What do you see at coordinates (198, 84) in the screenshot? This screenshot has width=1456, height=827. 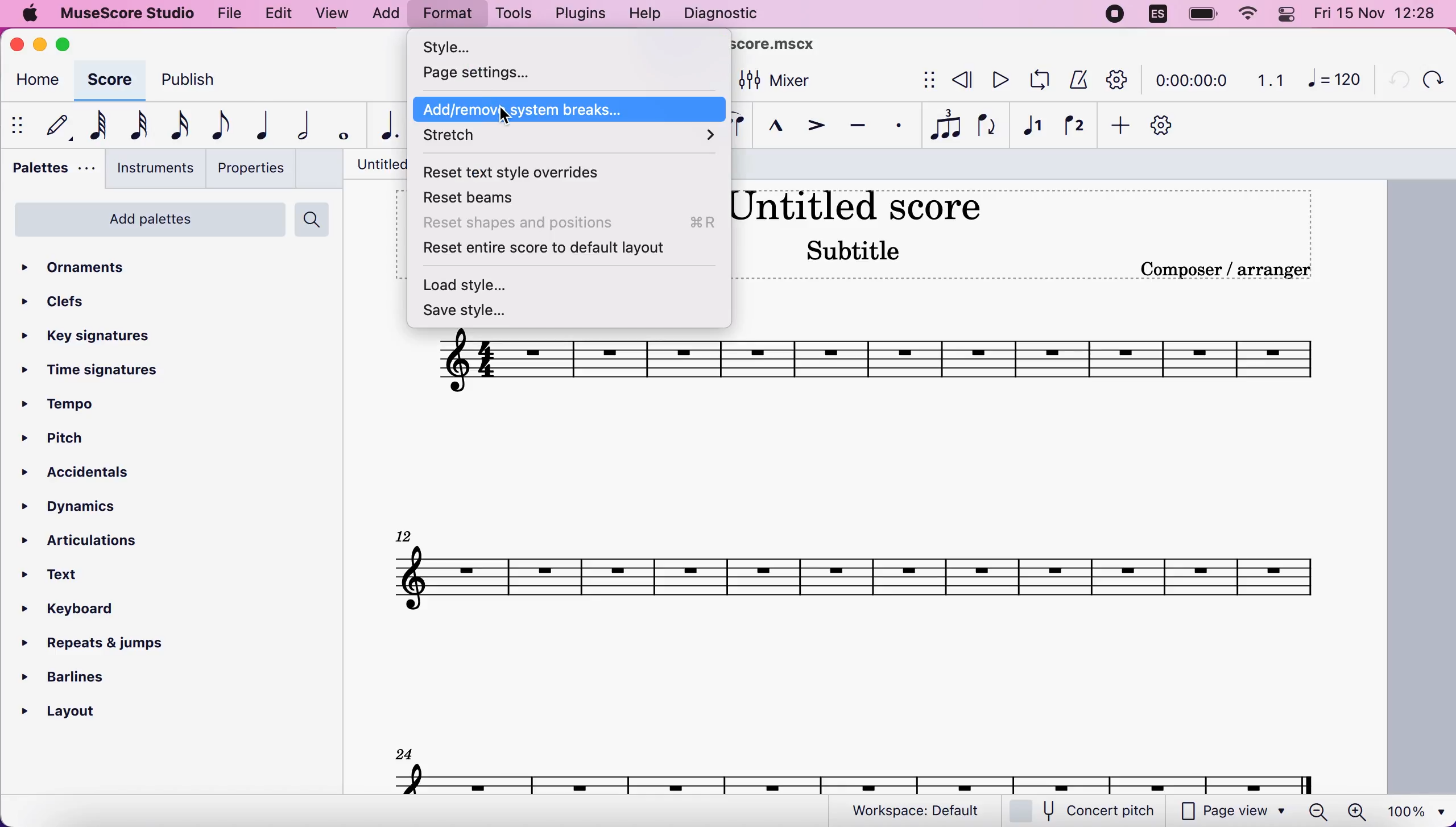 I see `publish` at bounding box center [198, 84].